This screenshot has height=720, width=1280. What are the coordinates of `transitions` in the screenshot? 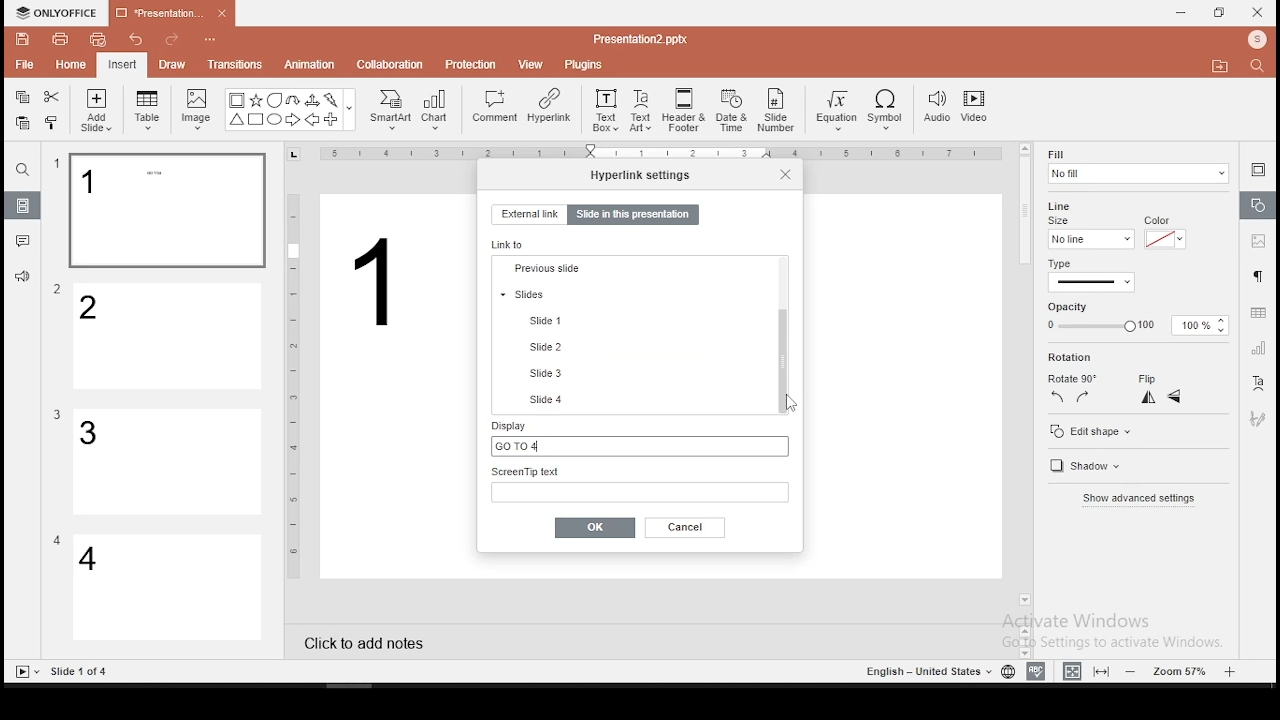 It's located at (234, 64).